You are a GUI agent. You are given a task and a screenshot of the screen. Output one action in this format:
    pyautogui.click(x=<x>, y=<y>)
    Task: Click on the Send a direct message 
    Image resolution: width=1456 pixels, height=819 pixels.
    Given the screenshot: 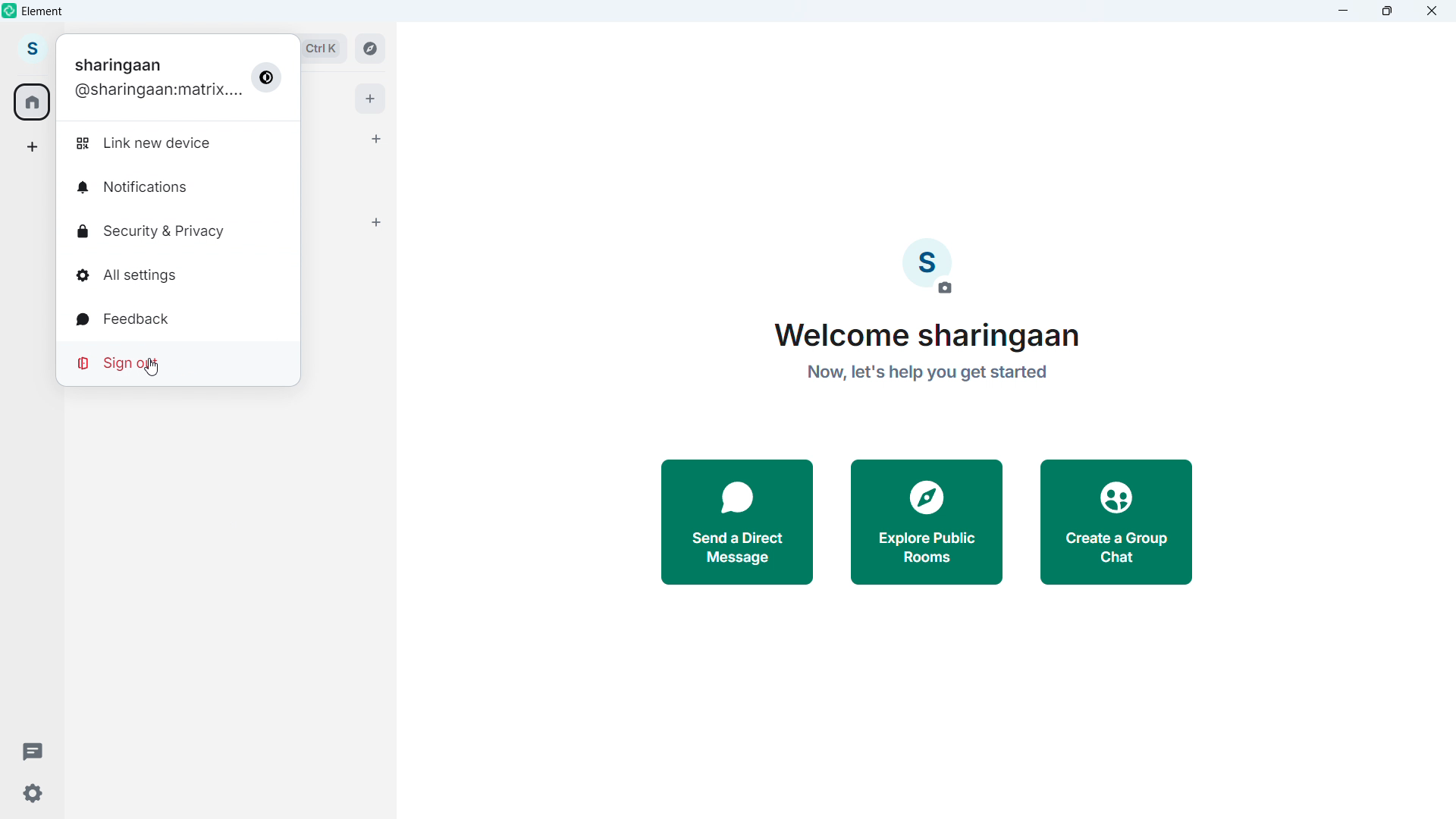 What is the action you would take?
    pyautogui.click(x=739, y=523)
    